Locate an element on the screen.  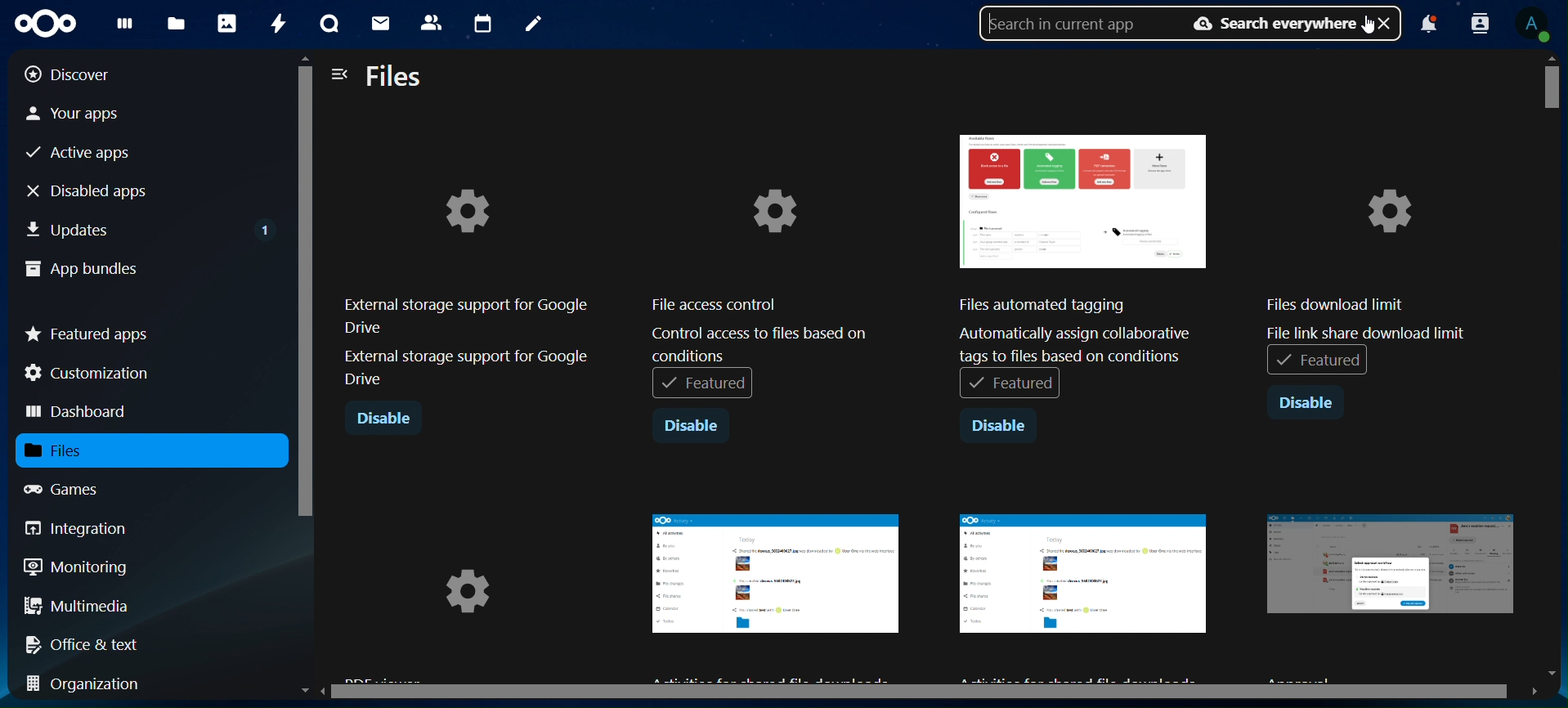
File access control Control access to files based onconditions[Featured | is located at coordinates (761, 280).